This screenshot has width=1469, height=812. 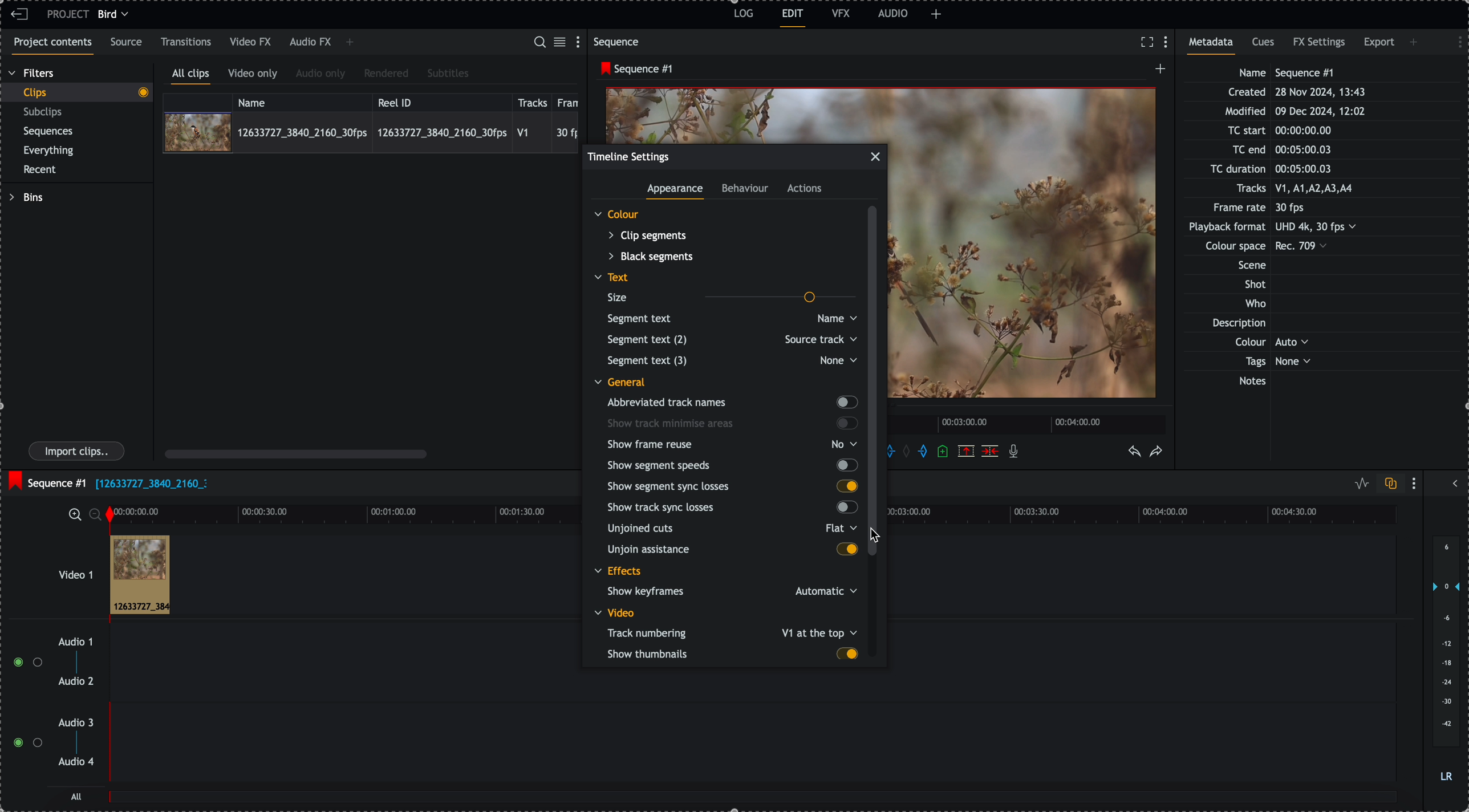 I want to click on sequence #1, so click(x=634, y=69).